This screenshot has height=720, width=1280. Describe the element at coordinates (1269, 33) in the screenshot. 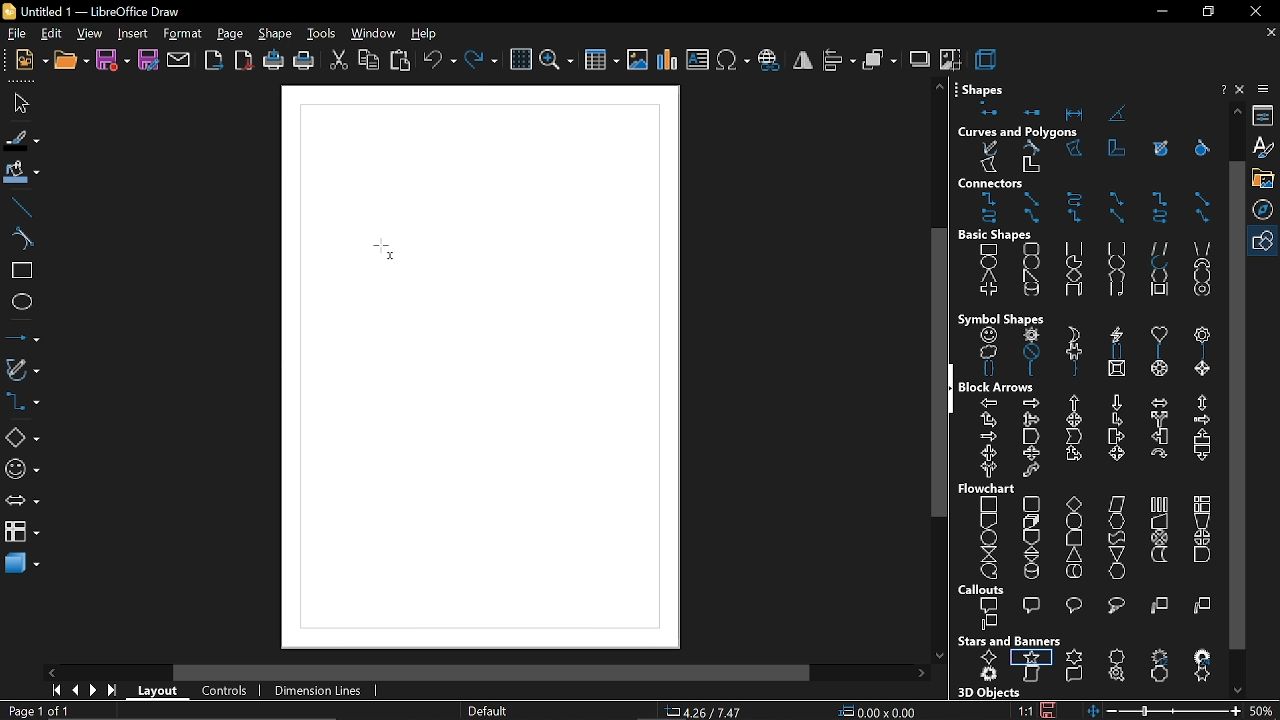

I see `close tab` at that location.